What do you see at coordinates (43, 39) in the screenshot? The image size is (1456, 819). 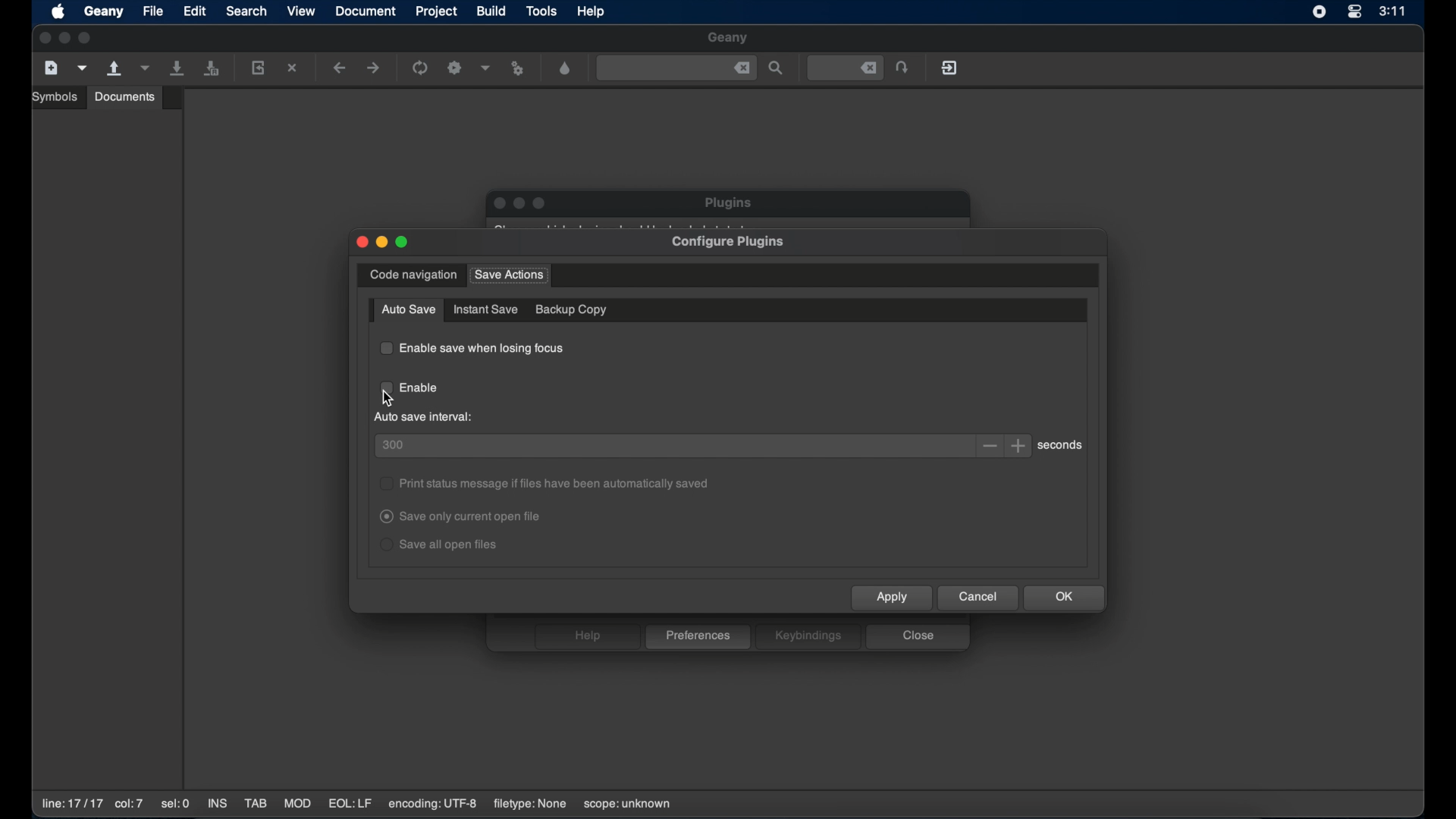 I see `close` at bounding box center [43, 39].